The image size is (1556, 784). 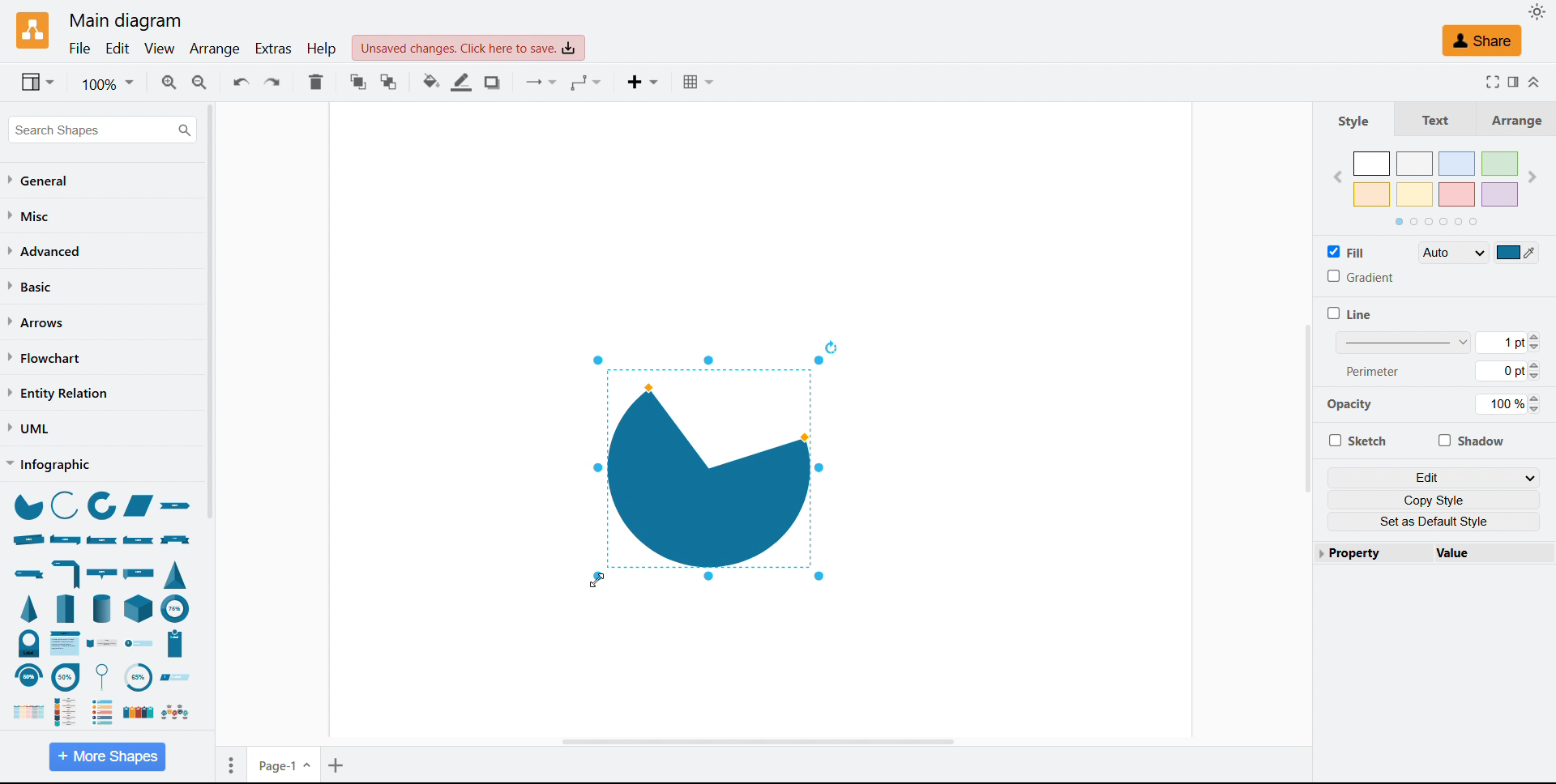 What do you see at coordinates (272, 82) in the screenshot?
I see `Redo ` at bounding box center [272, 82].